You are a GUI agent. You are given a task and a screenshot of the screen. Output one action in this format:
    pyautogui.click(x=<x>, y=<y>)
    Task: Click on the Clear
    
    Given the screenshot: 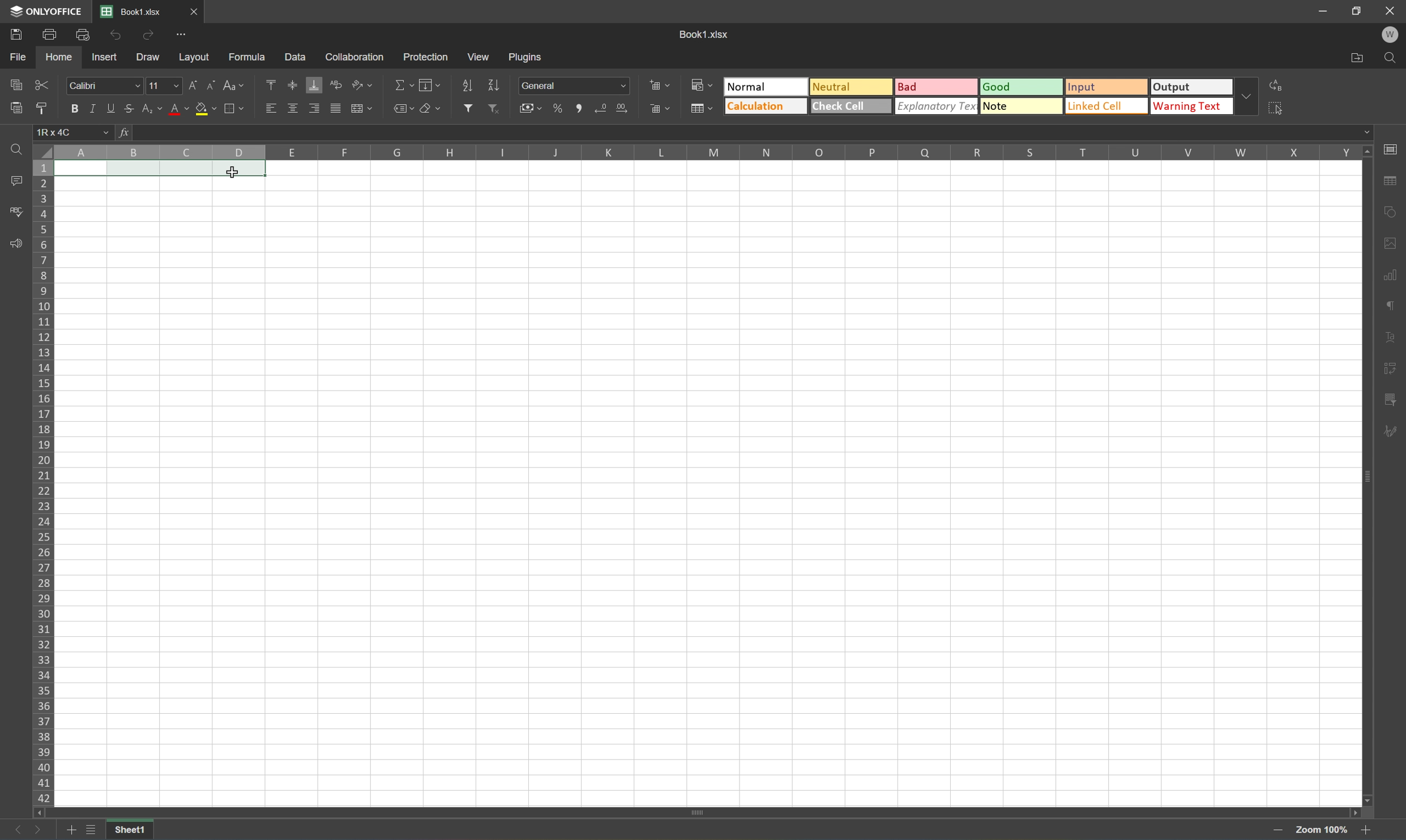 What is the action you would take?
    pyautogui.click(x=433, y=107)
    